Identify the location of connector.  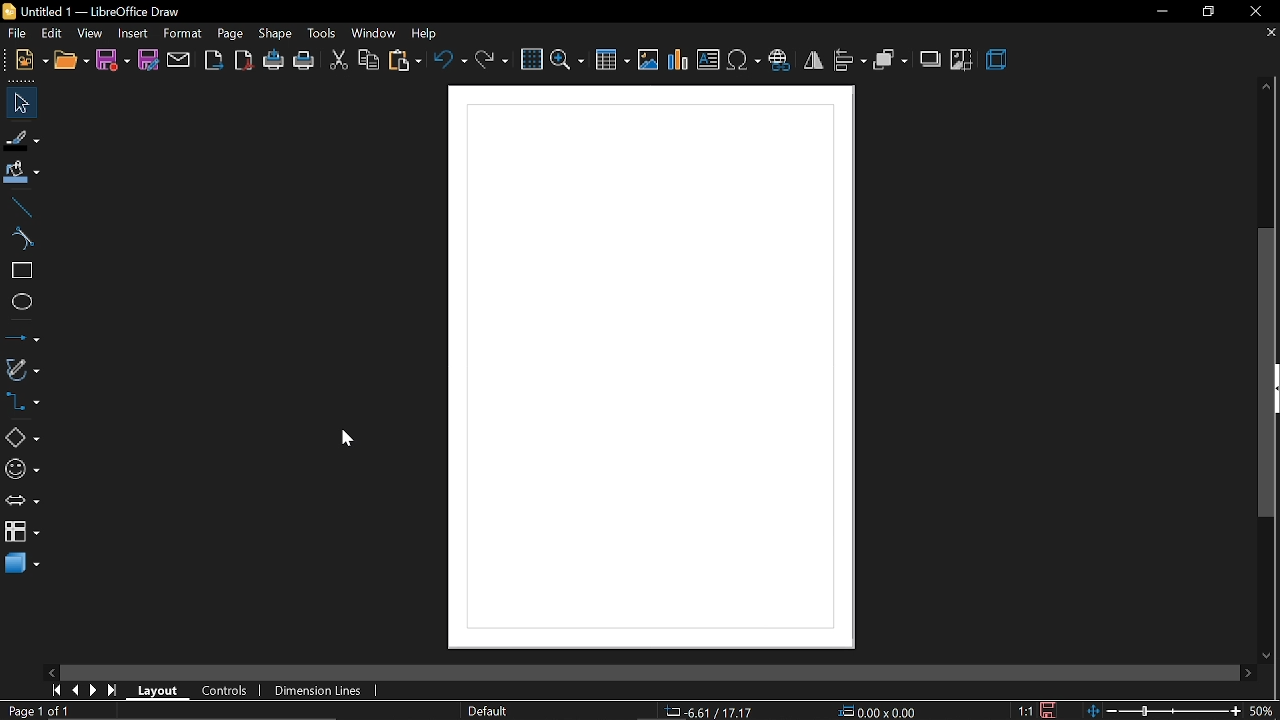
(23, 406).